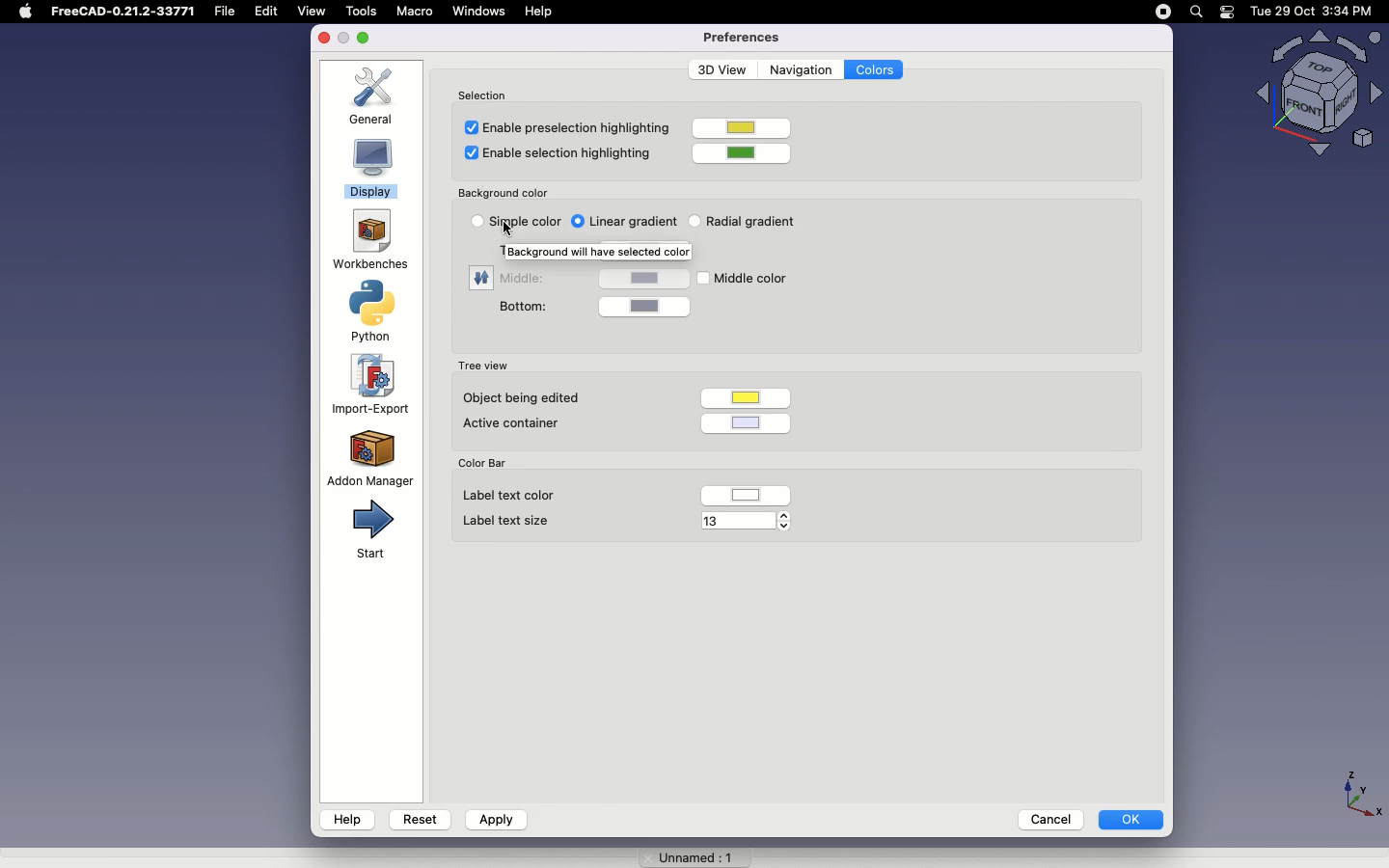 This screenshot has width=1389, height=868. What do you see at coordinates (482, 364) in the screenshot?
I see `Tree view` at bounding box center [482, 364].